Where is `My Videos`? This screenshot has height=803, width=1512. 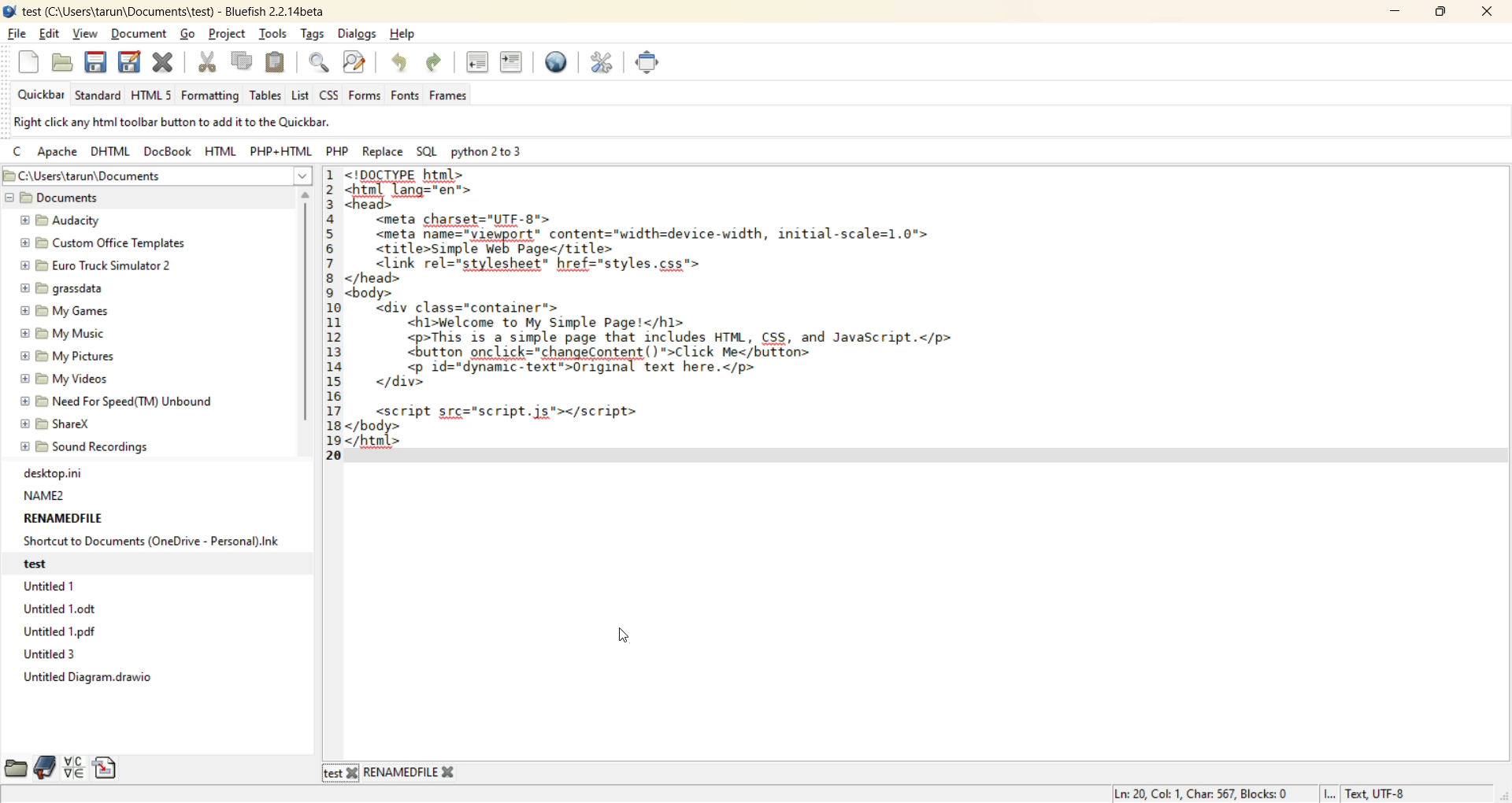
My Videos is located at coordinates (60, 377).